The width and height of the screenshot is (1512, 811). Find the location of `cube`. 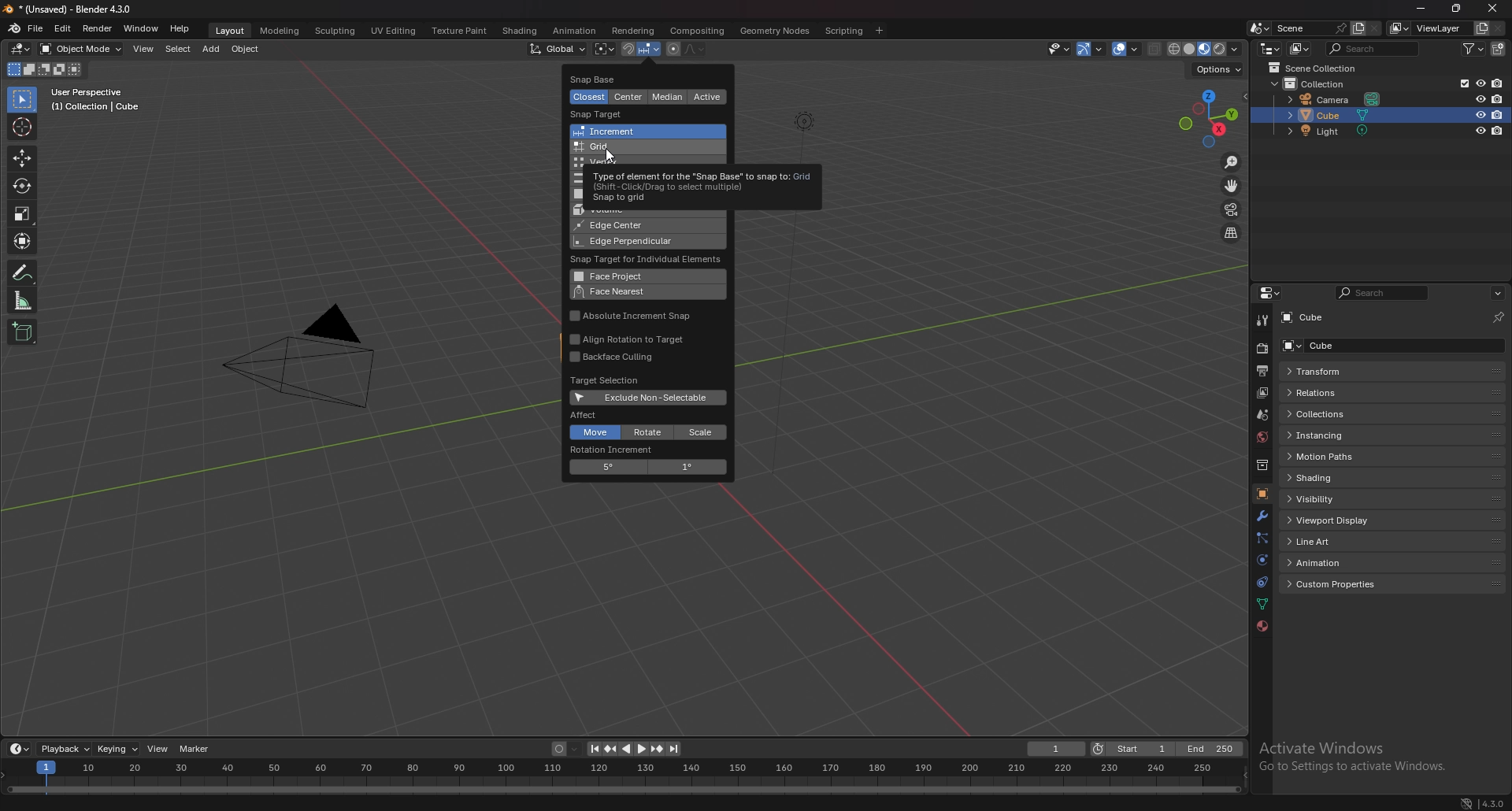

cube is located at coordinates (1315, 318).